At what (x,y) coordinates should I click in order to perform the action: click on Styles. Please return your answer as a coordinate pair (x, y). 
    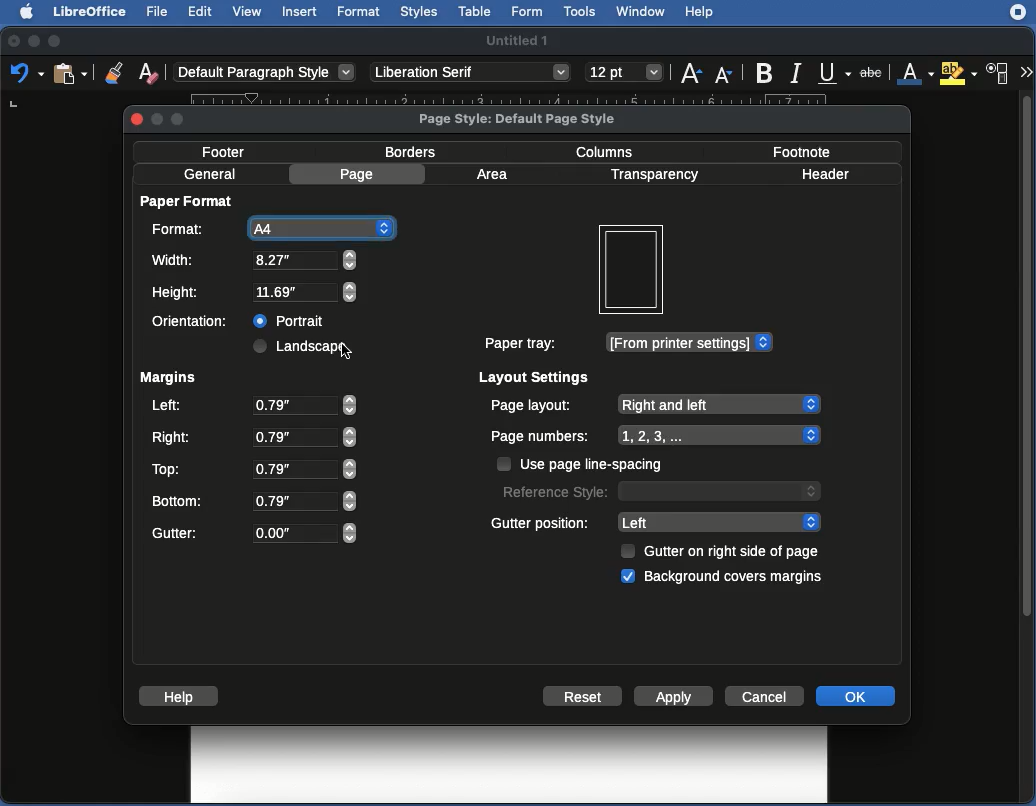
    Looking at the image, I should click on (420, 12).